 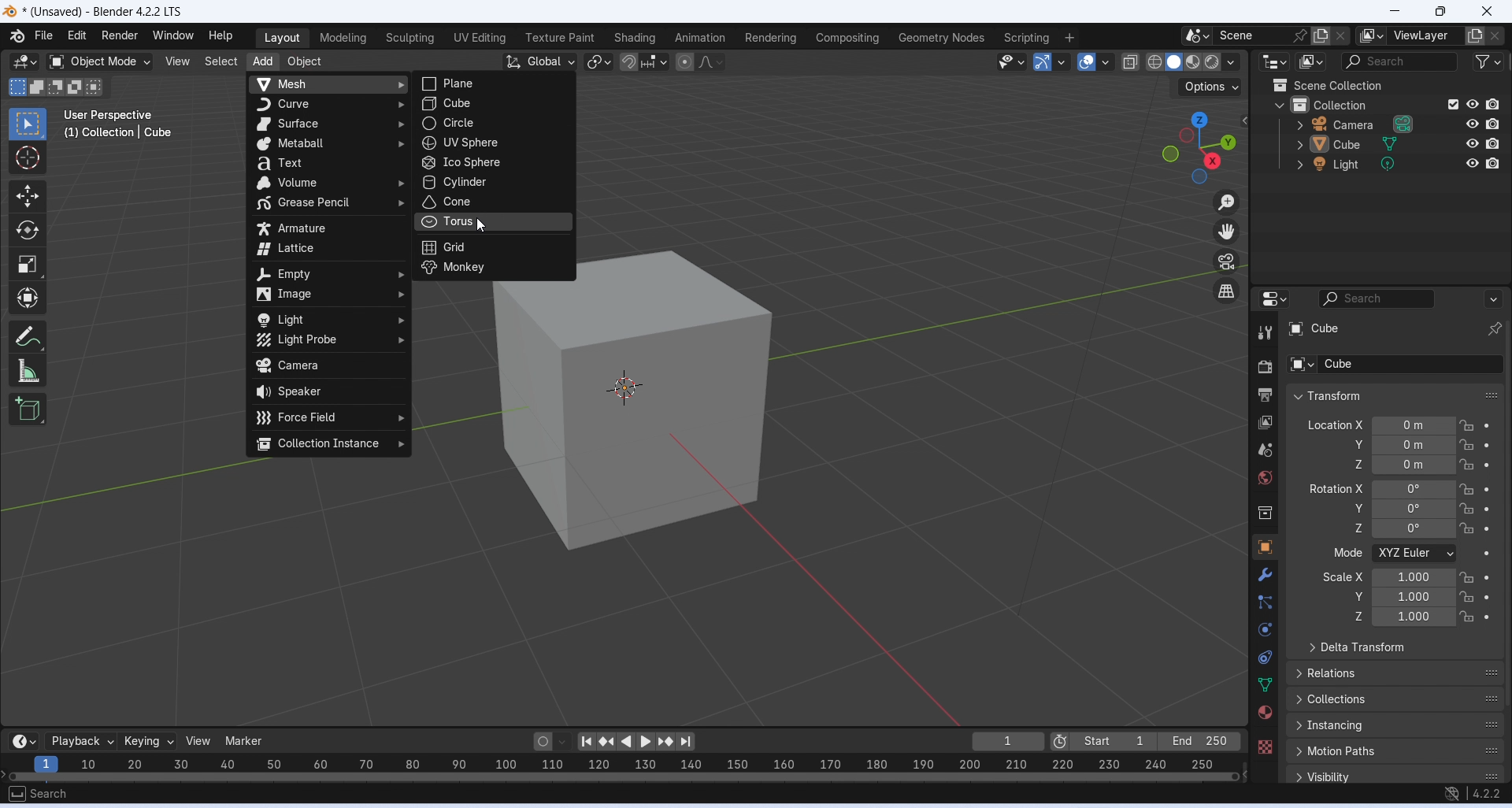 I want to click on options, so click(x=1197, y=36).